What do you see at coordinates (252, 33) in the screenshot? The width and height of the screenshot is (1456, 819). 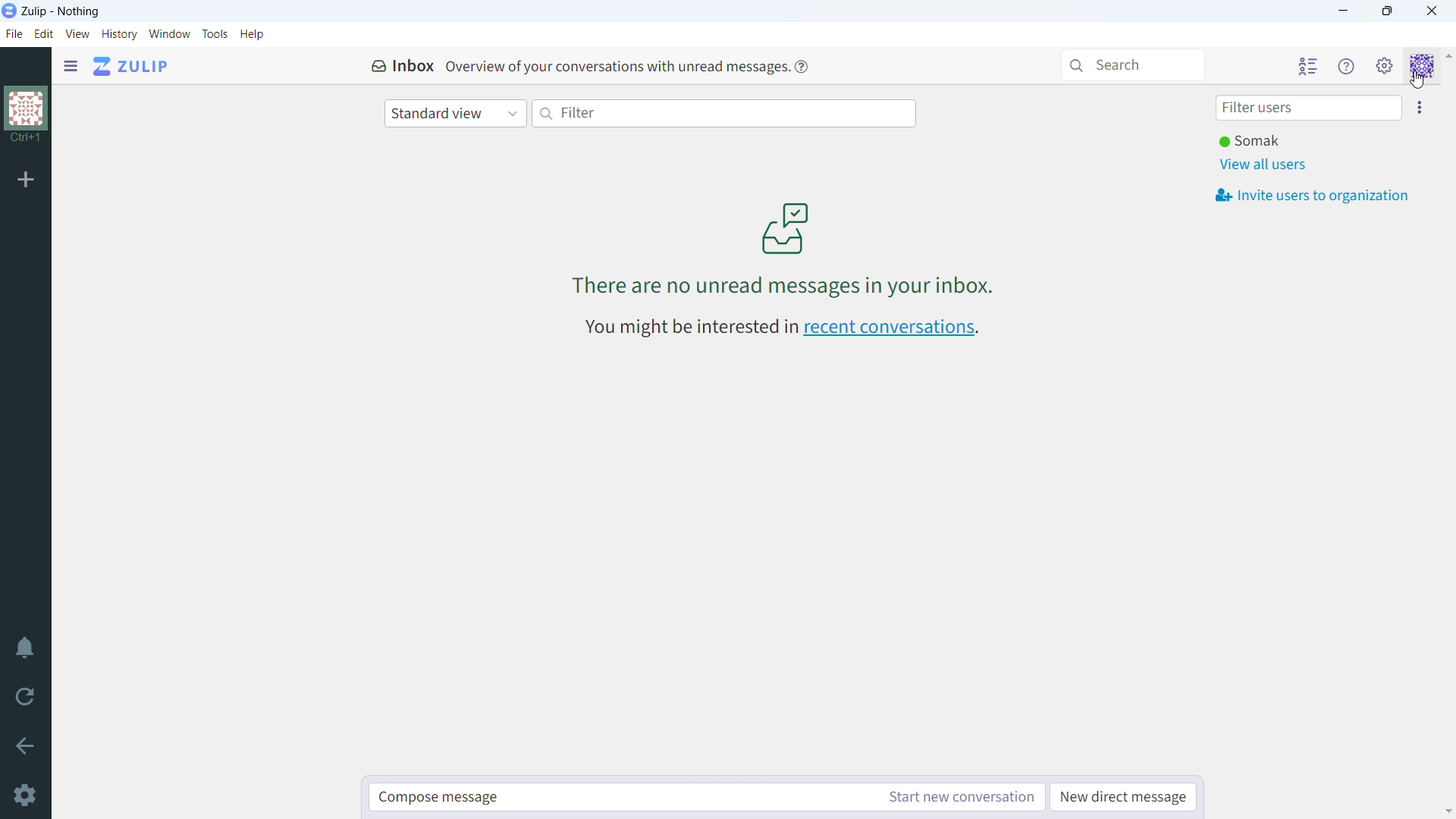 I see `help` at bounding box center [252, 33].